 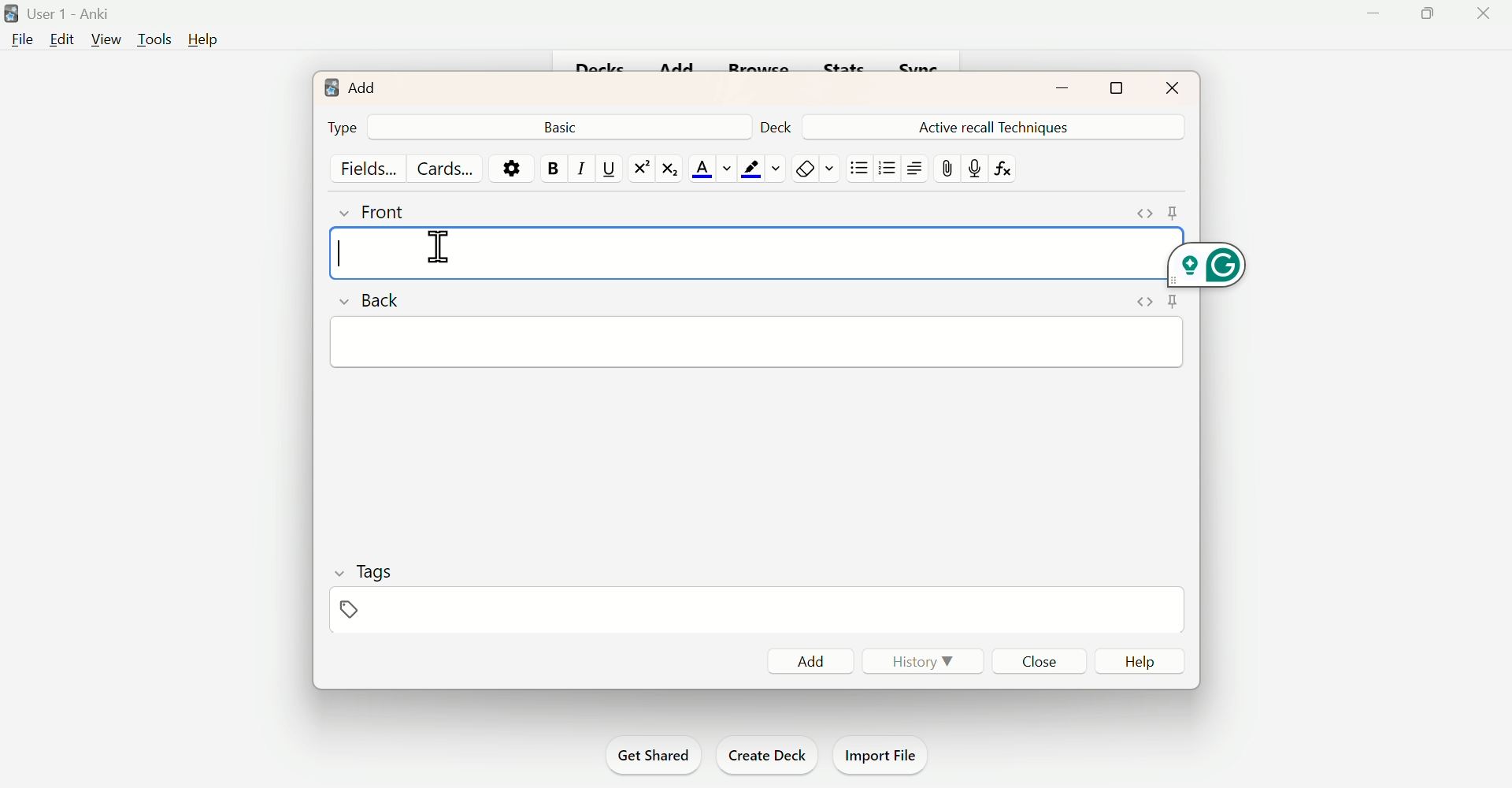 I want to click on Attach file, so click(x=949, y=170).